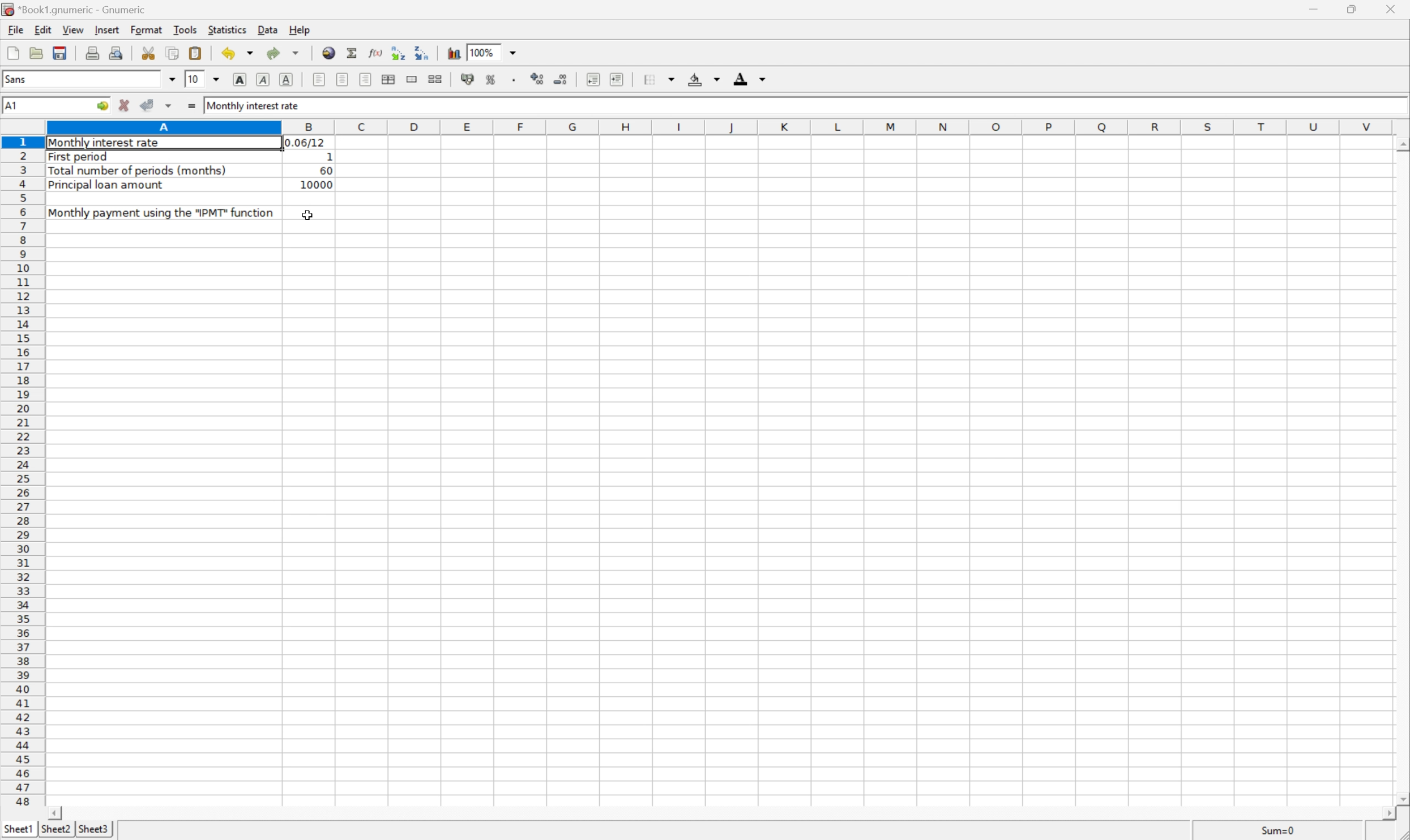 This screenshot has width=1410, height=840. Describe the element at coordinates (82, 156) in the screenshot. I see `First period` at that location.